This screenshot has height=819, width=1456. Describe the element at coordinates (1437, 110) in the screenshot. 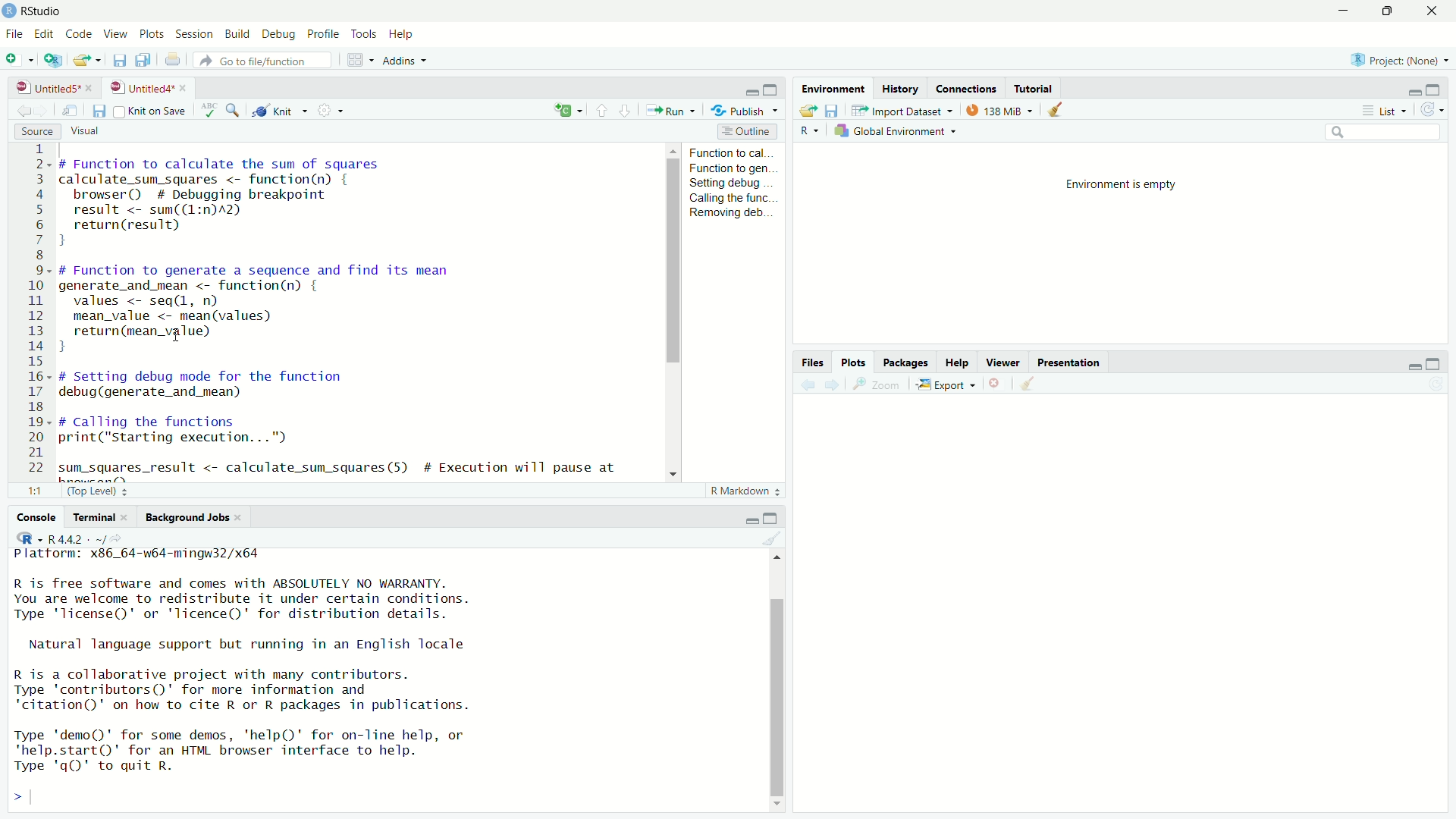

I see `refresh the list of objects` at that location.